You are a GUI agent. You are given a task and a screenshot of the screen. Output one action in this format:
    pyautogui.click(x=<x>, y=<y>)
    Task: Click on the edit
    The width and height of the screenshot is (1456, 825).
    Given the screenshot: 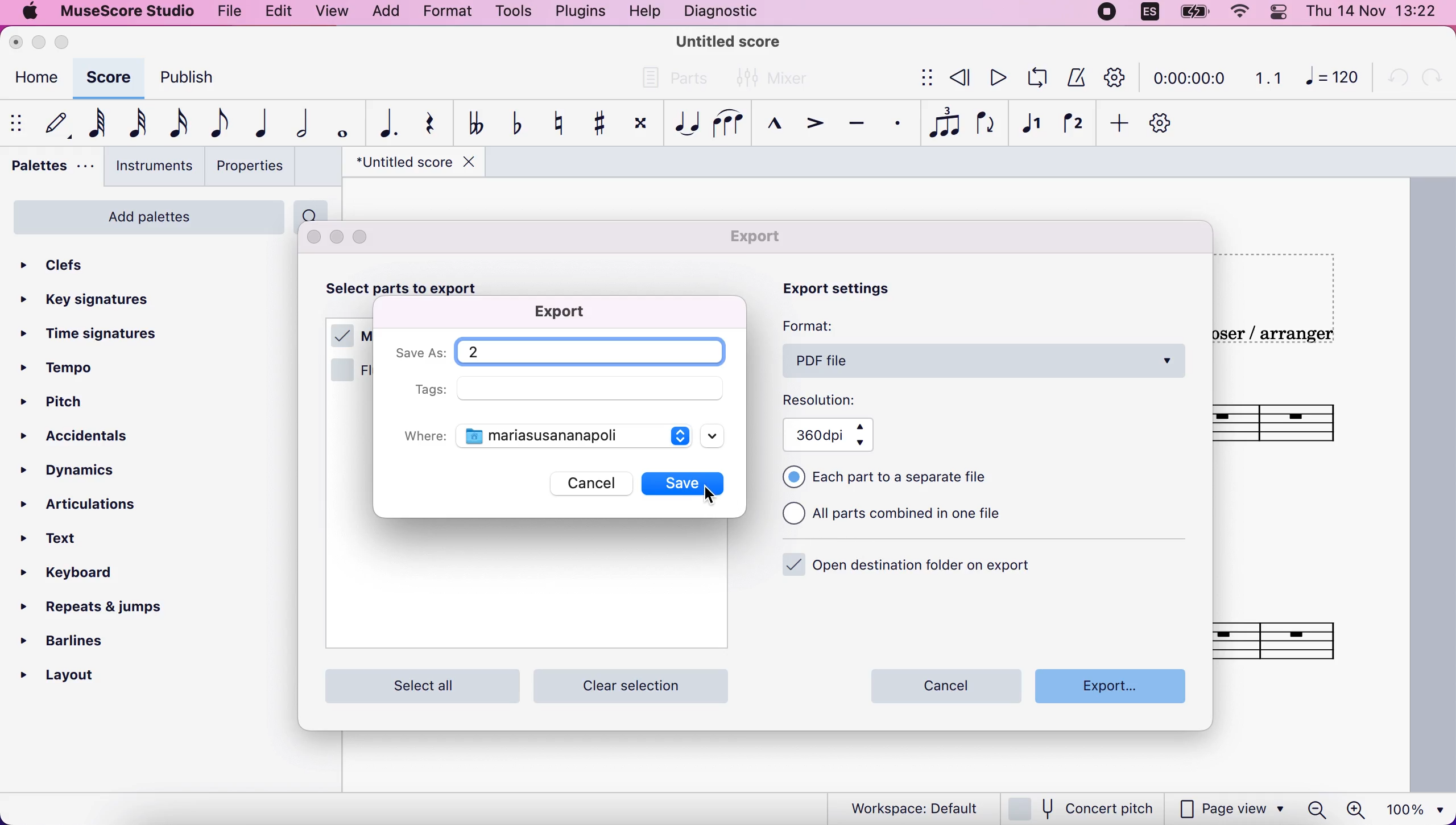 What is the action you would take?
    pyautogui.click(x=275, y=13)
    